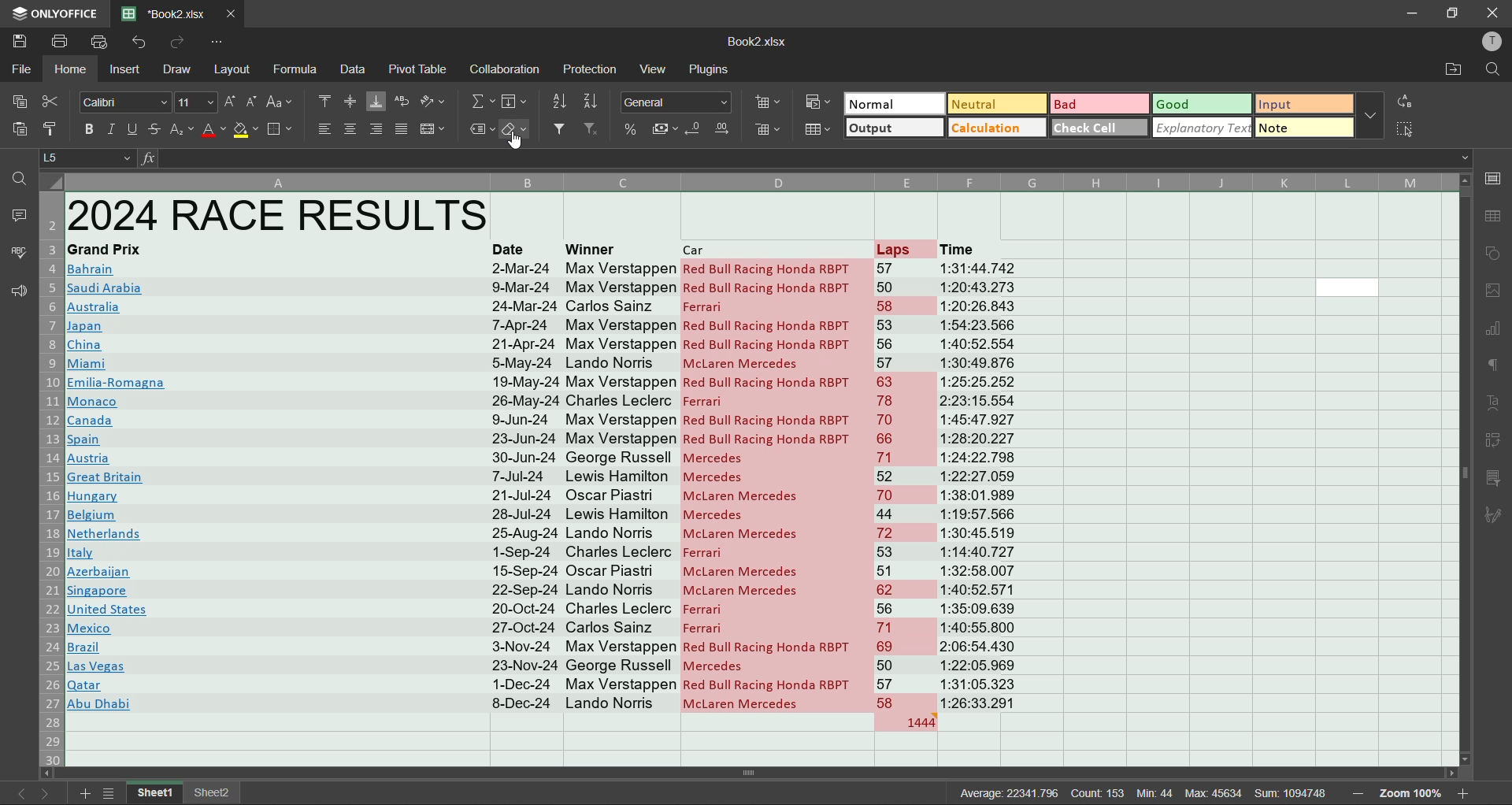 The width and height of the screenshot is (1512, 805). What do you see at coordinates (58, 42) in the screenshot?
I see `print` at bounding box center [58, 42].